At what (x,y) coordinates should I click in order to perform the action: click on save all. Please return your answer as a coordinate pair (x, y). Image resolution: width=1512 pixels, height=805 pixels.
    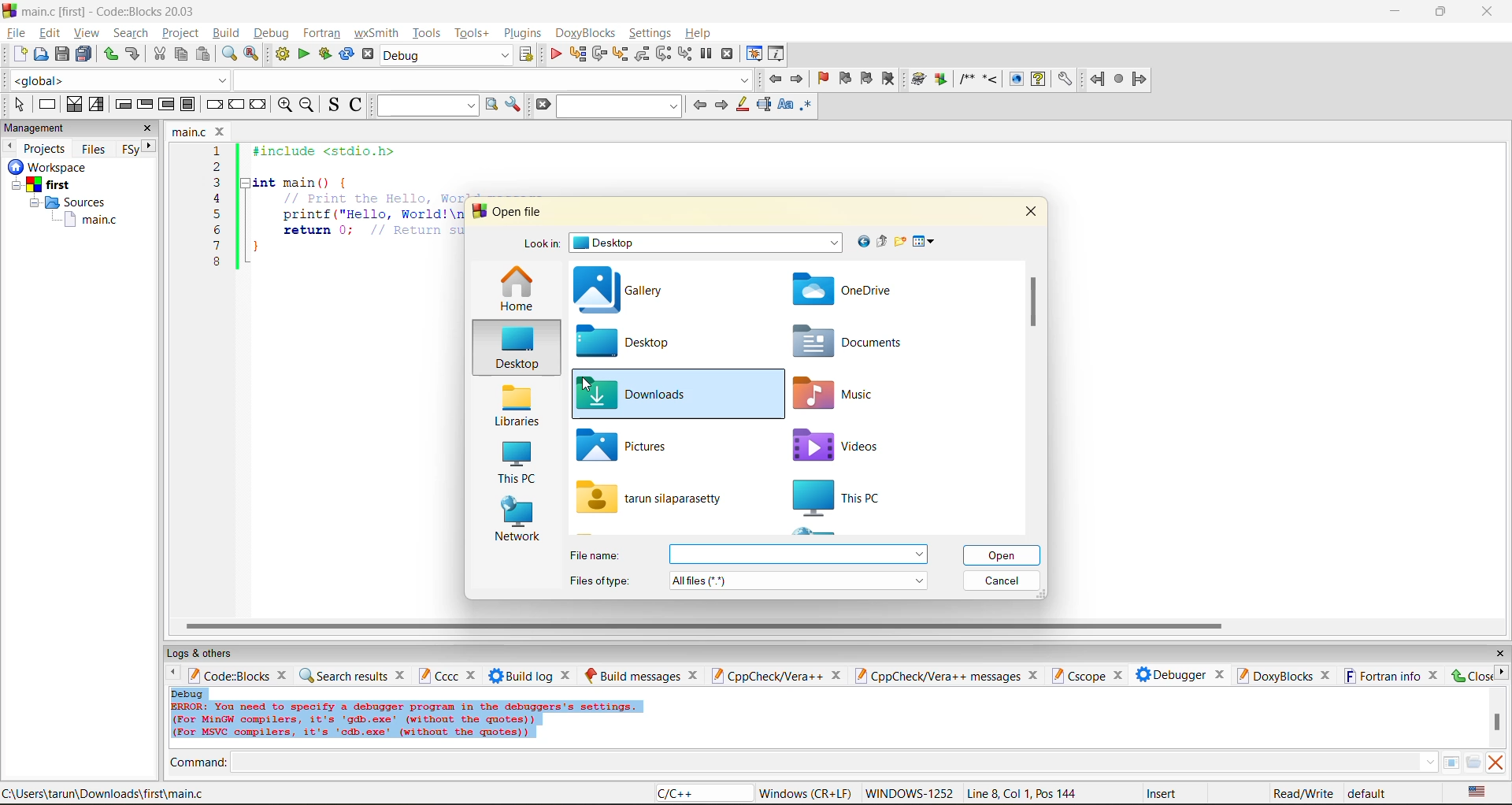
    Looking at the image, I should click on (84, 54).